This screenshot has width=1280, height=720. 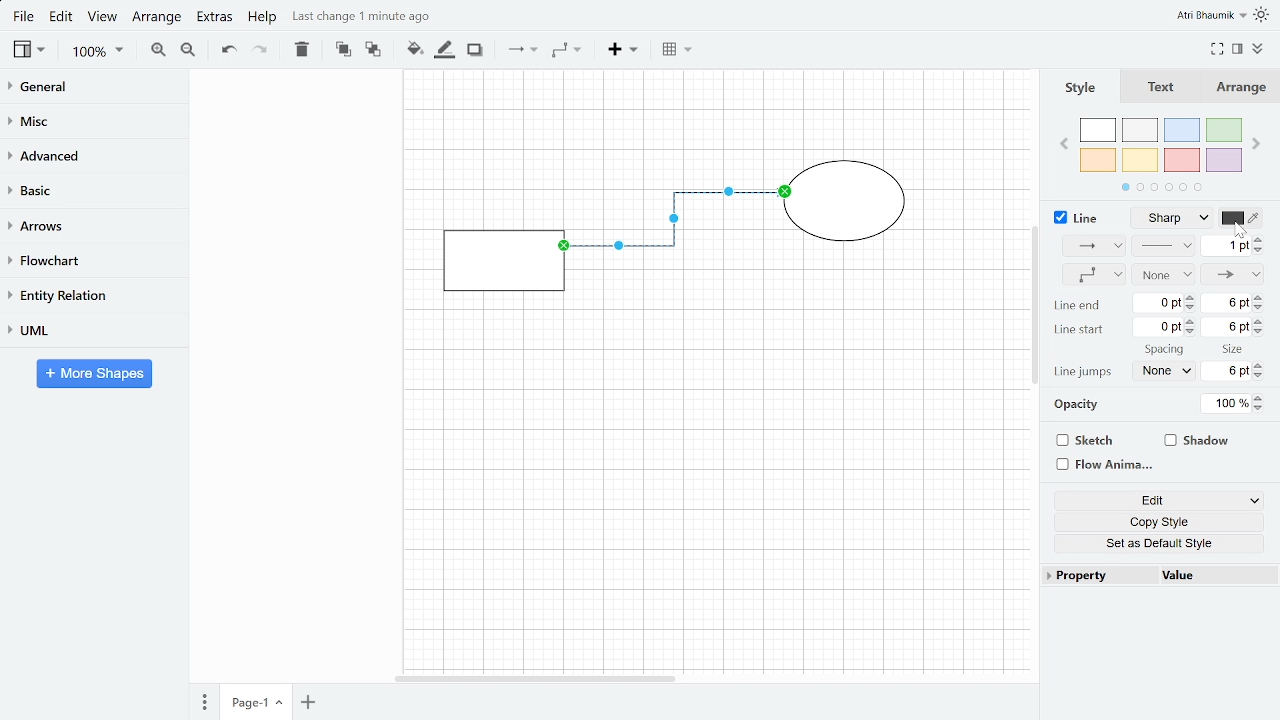 I want to click on Waypoints, so click(x=566, y=51).